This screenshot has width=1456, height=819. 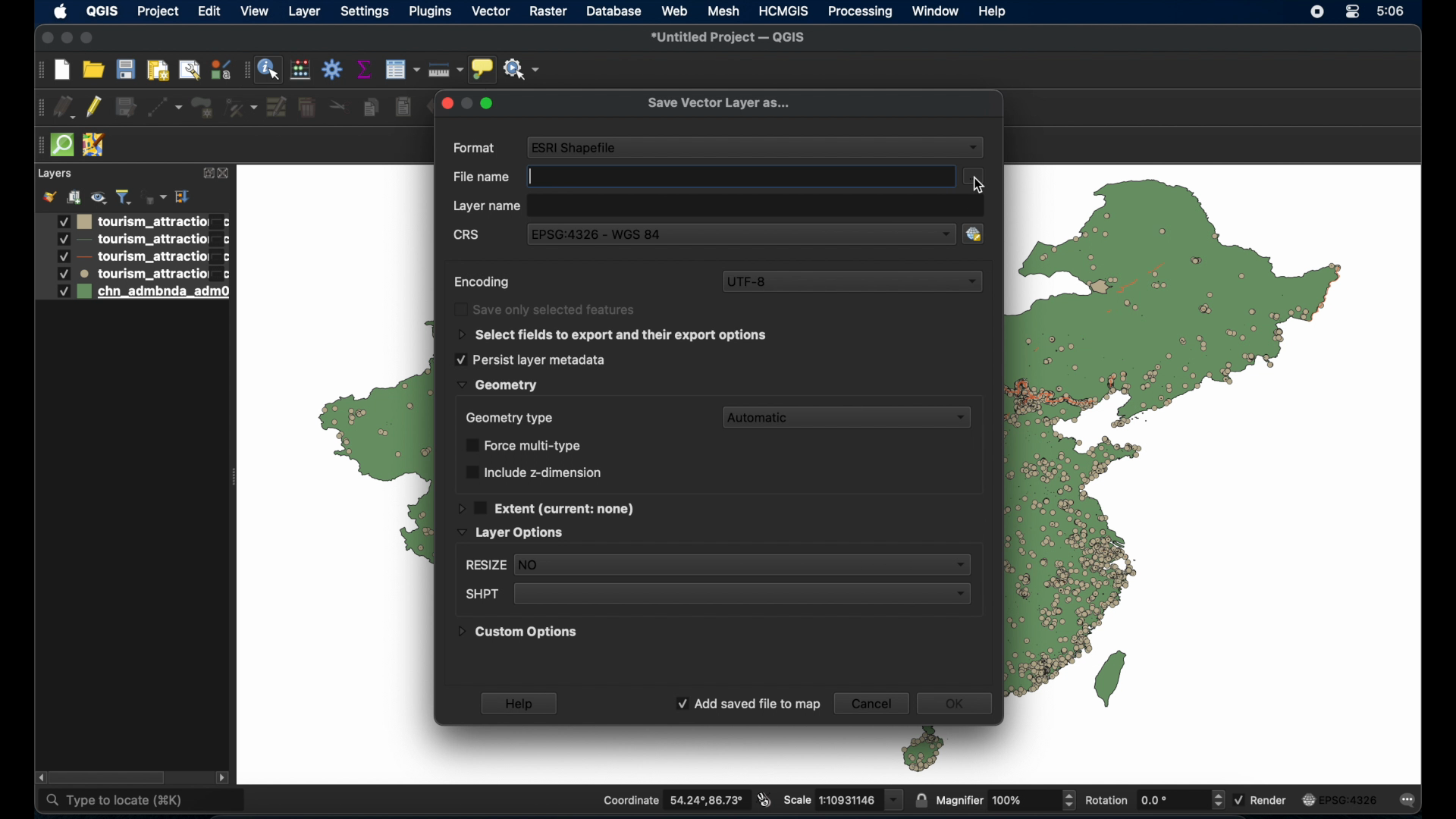 What do you see at coordinates (785, 11) in the screenshot?
I see `HCMGIS` at bounding box center [785, 11].